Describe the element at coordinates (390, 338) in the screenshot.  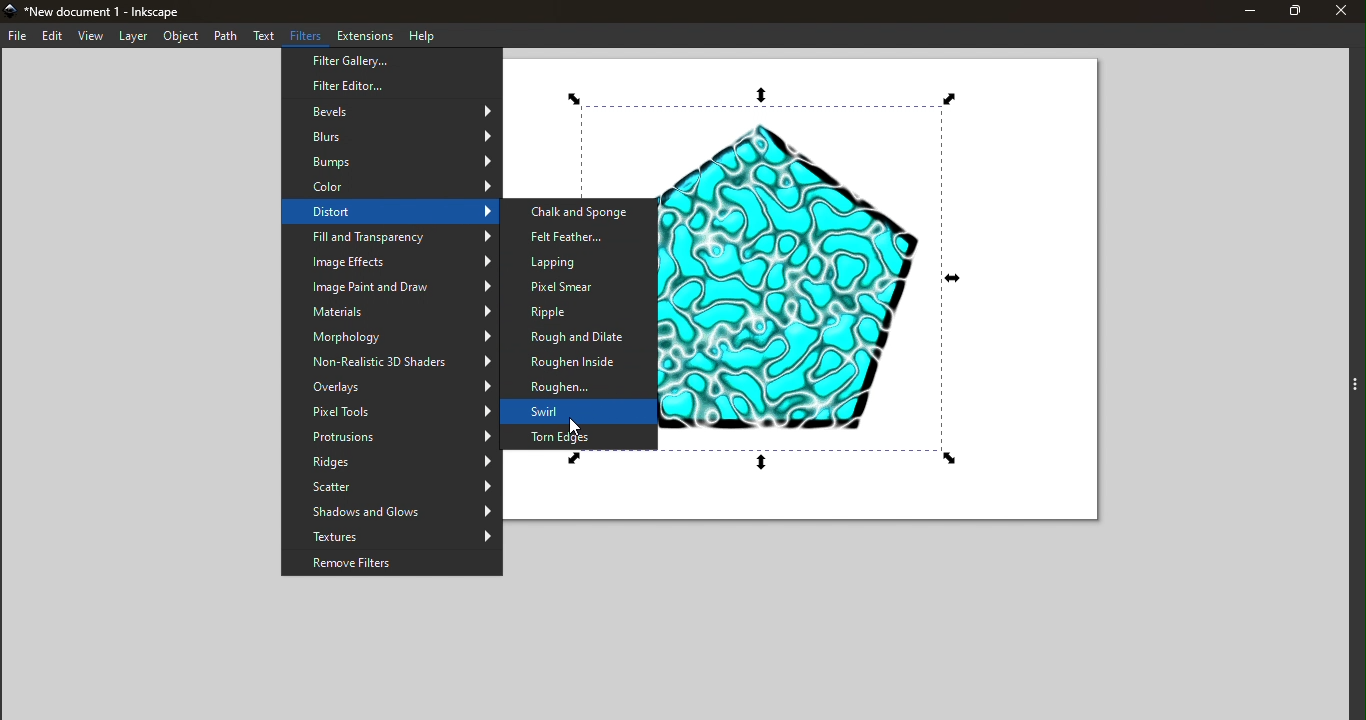
I see `Morphology` at that location.